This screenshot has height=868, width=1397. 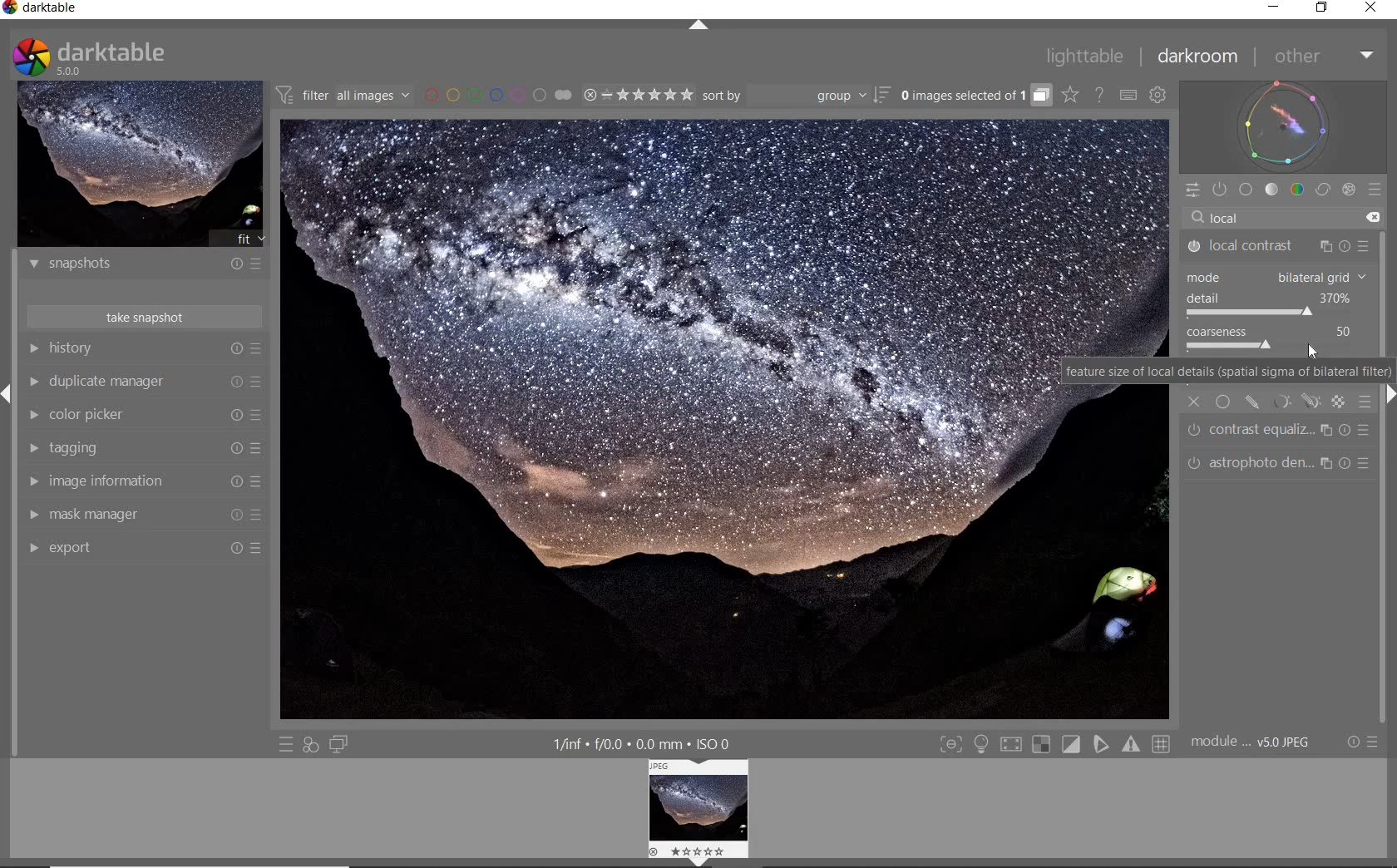 I want to click on detail: 125%, so click(x=1268, y=298).